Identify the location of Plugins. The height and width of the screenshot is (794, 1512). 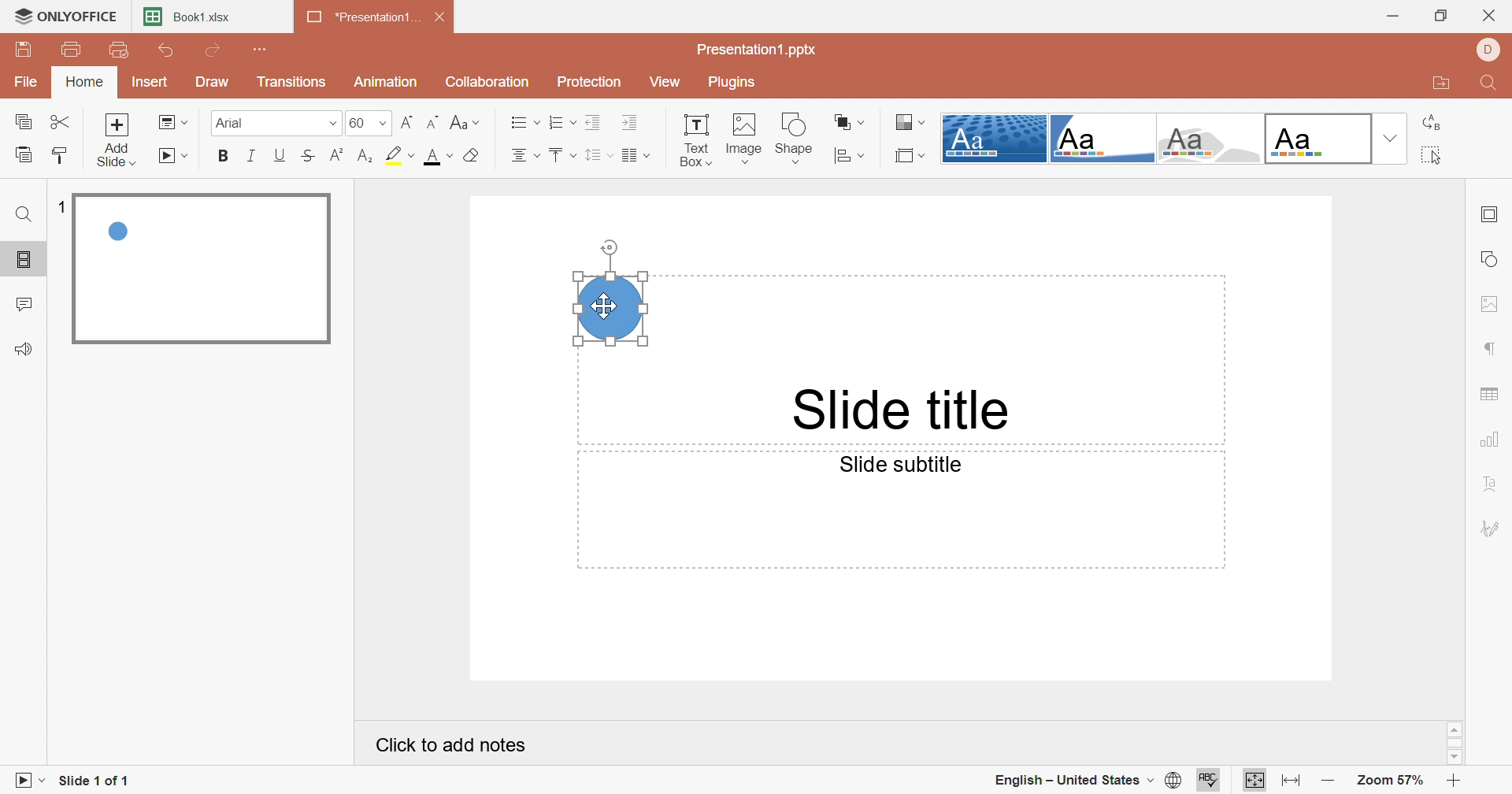
(733, 82).